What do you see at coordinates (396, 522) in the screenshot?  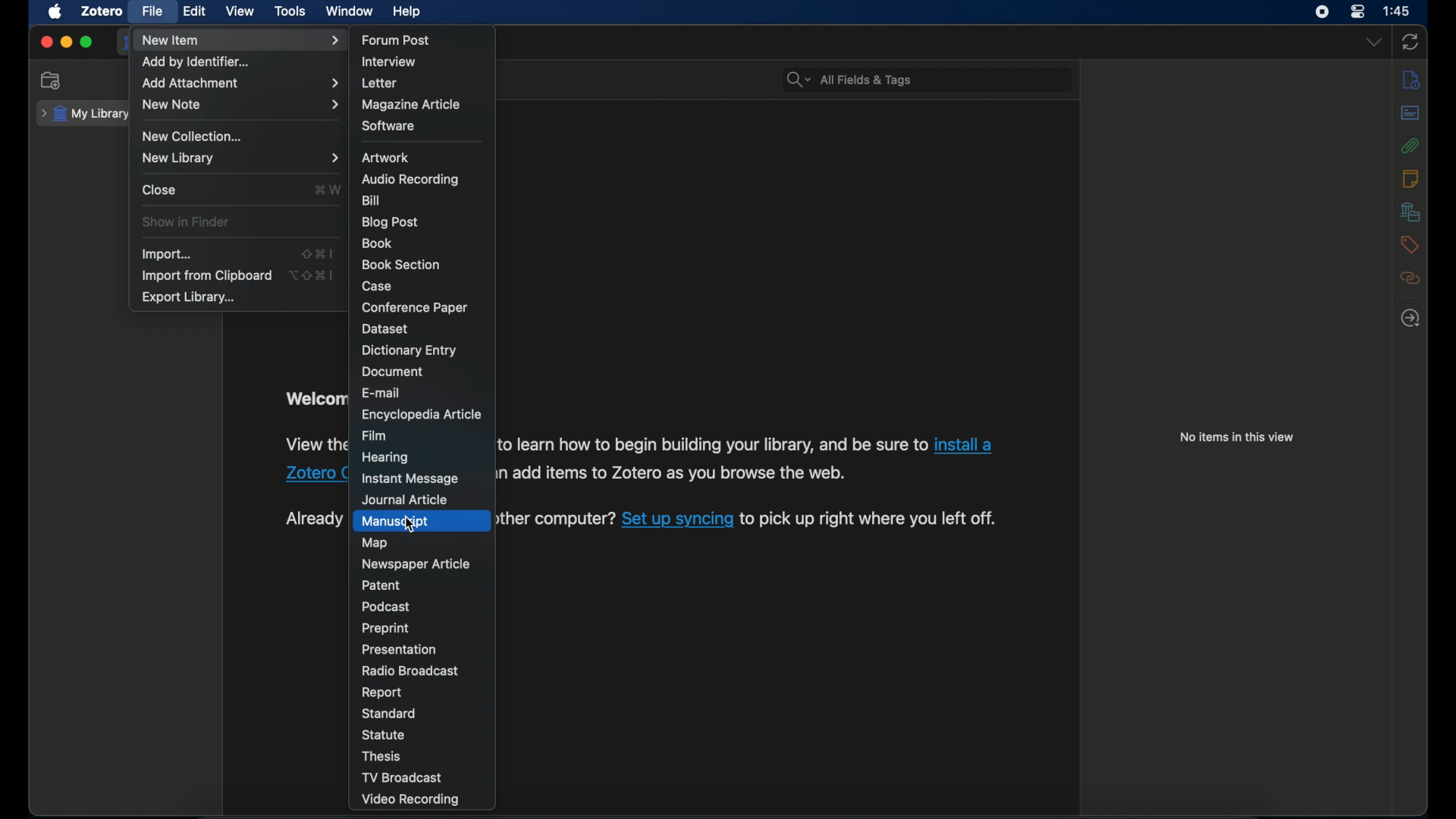 I see `manuscript` at bounding box center [396, 522].